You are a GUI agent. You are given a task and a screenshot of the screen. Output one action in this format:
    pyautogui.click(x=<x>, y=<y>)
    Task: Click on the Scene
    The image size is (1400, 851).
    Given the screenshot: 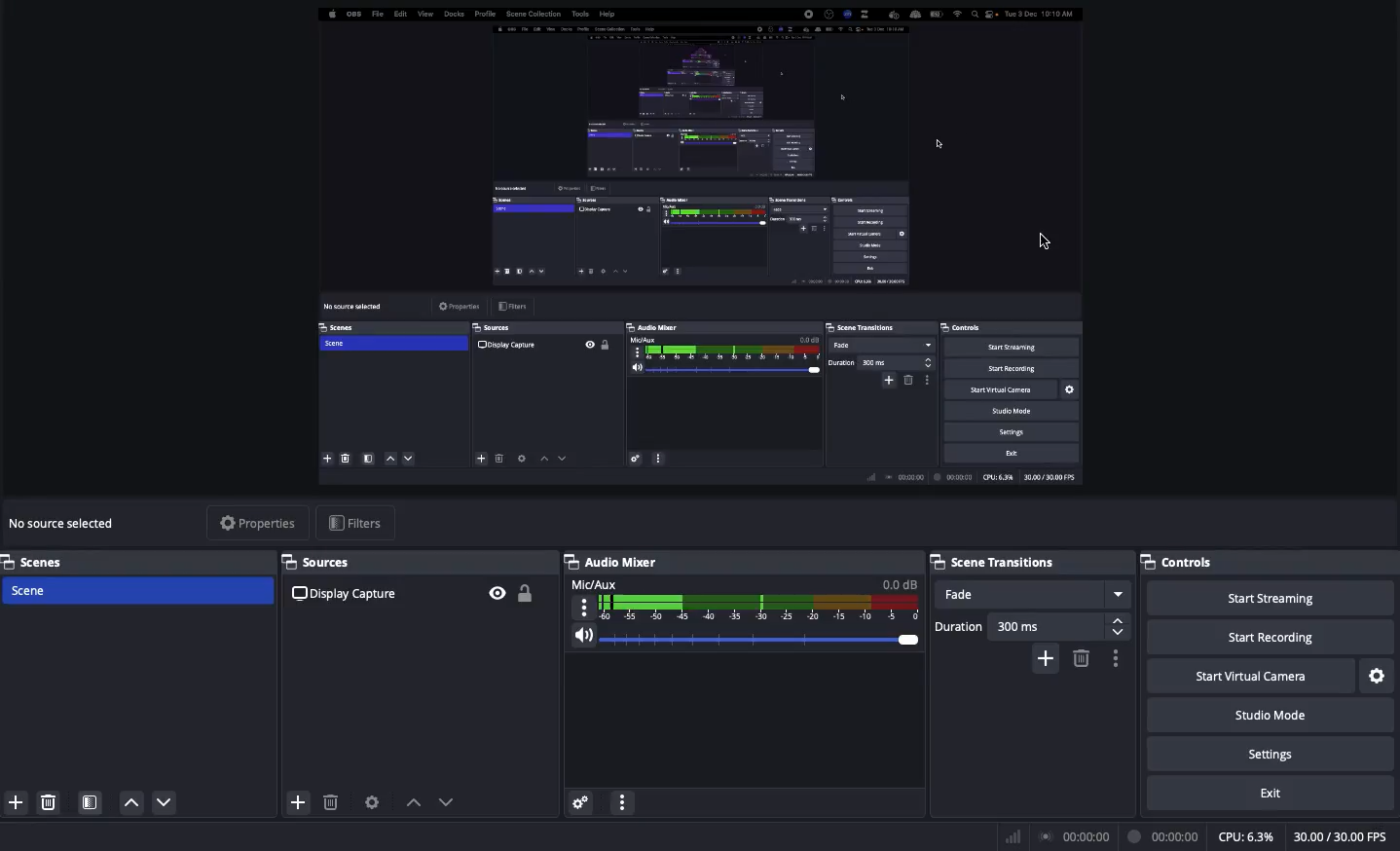 What is the action you would take?
    pyautogui.click(x=135, y=592)
    